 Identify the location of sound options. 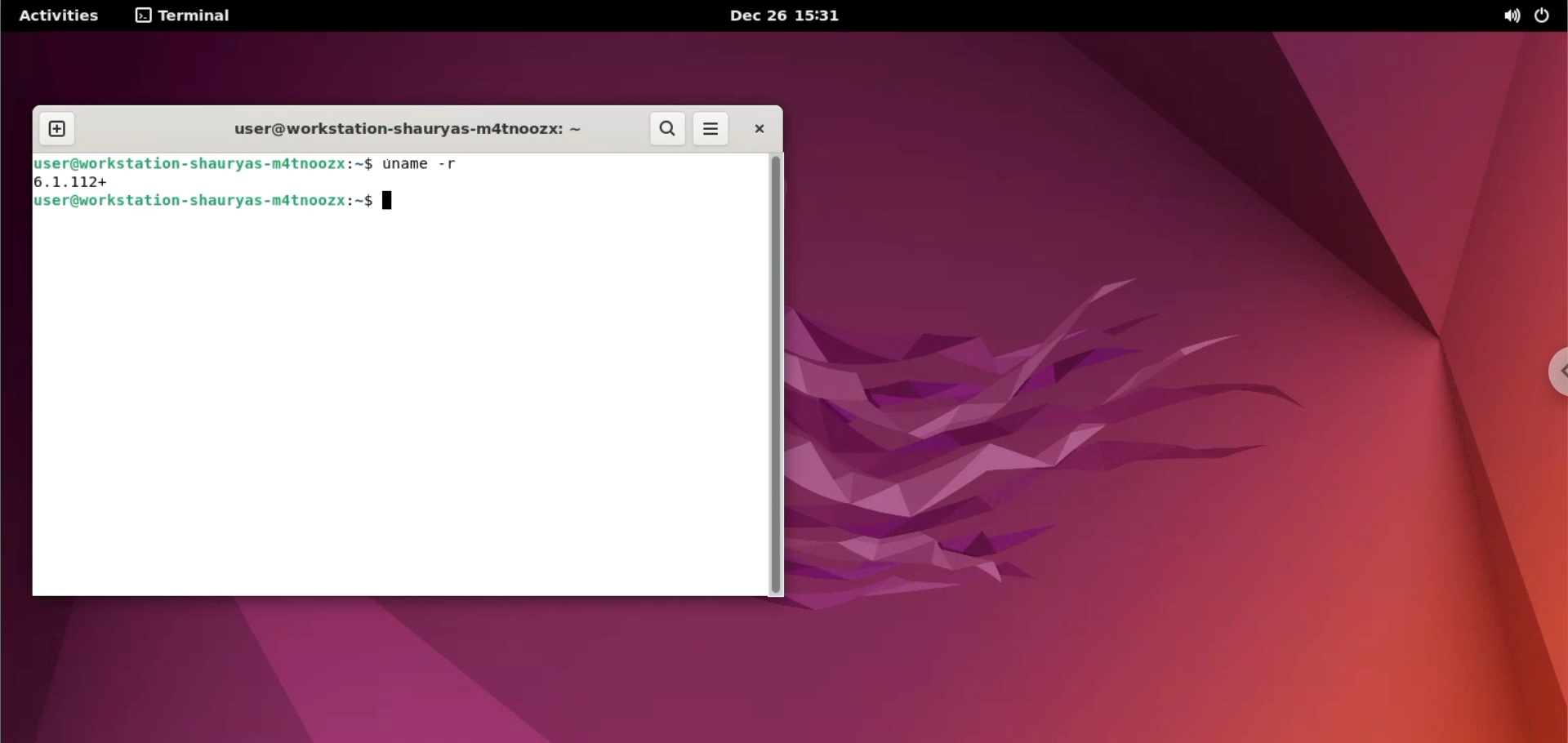
(1510, 17).